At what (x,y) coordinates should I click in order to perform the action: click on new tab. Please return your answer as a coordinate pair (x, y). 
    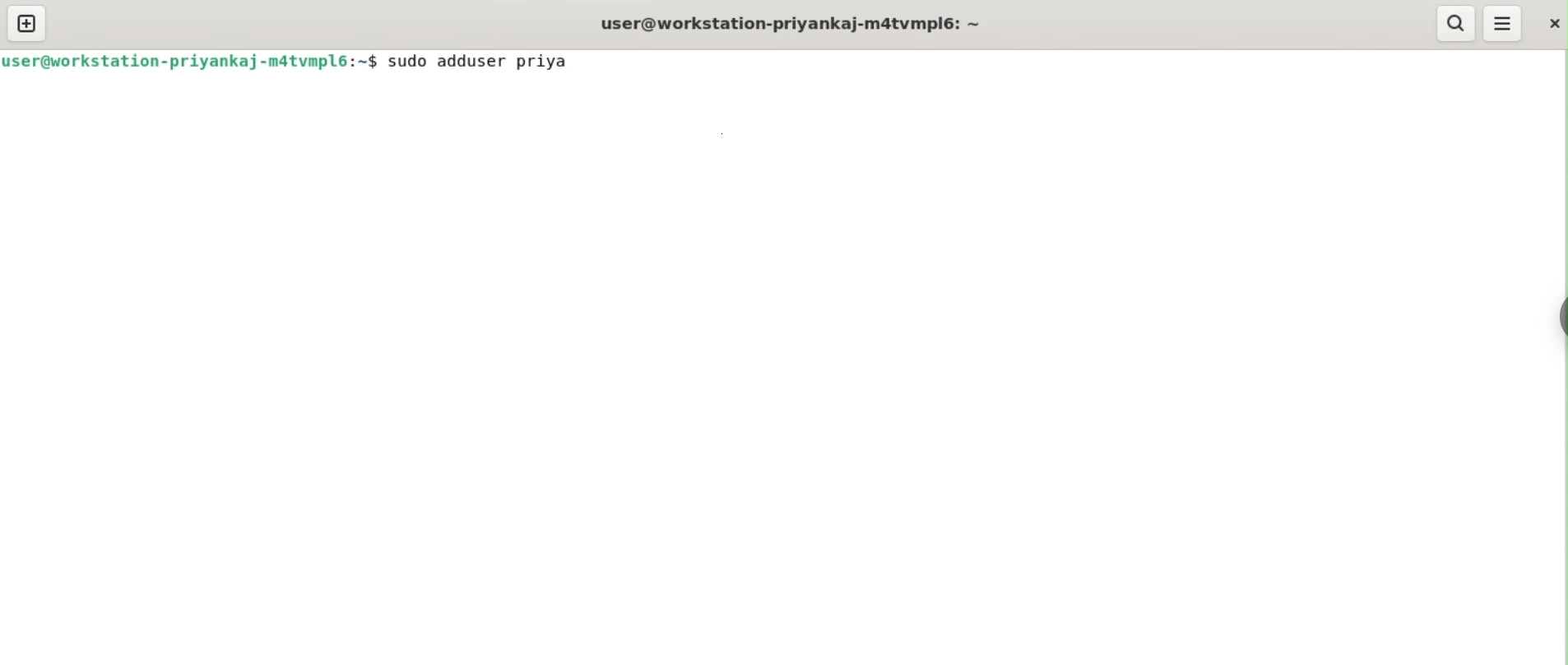
    Looking at the image, I should click on (26, 23).